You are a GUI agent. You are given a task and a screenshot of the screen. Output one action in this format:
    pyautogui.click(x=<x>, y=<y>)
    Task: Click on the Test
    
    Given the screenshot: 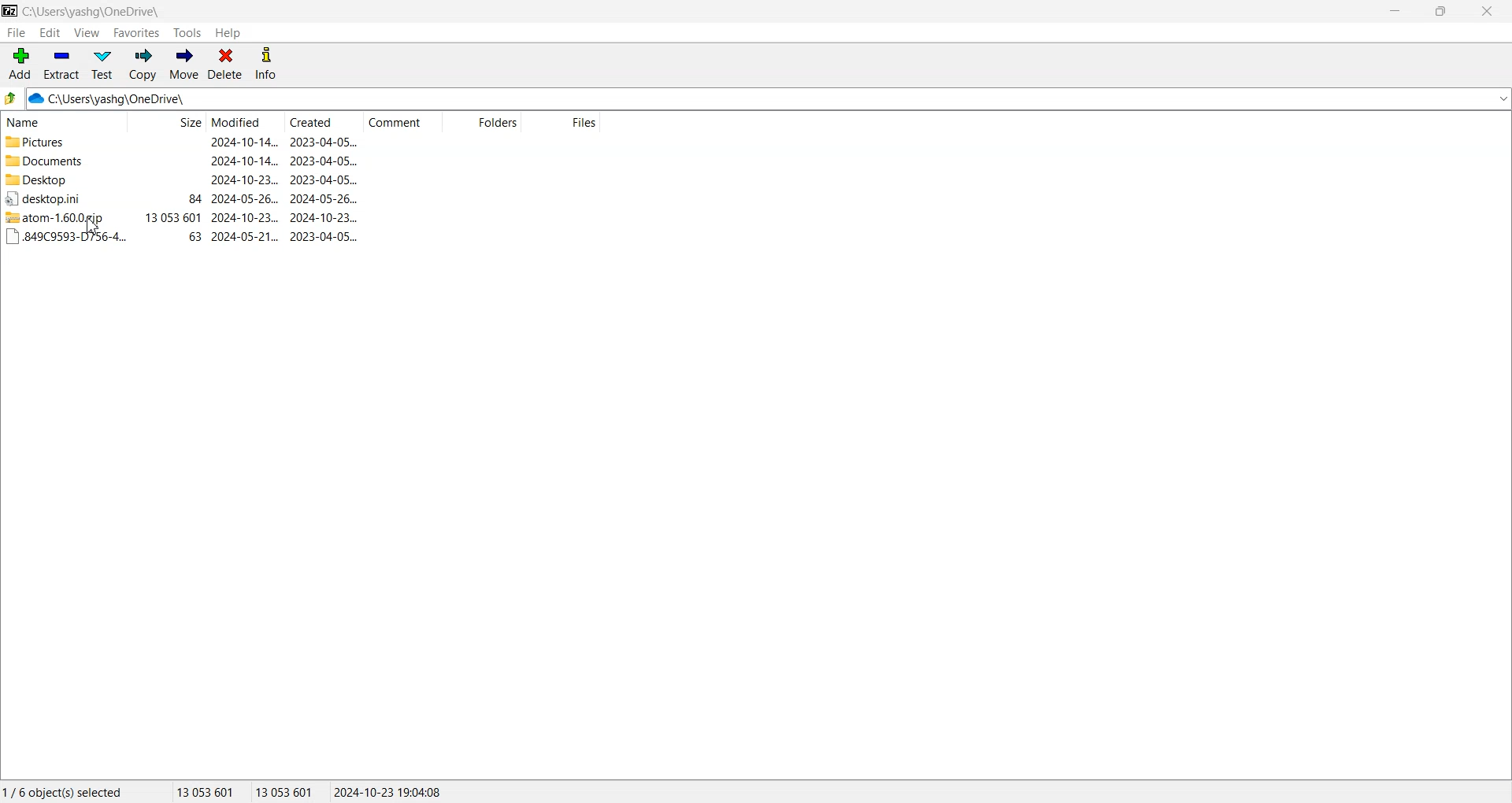 What is the action you would take?
    pyautogui.click(x=102, y=65)
    